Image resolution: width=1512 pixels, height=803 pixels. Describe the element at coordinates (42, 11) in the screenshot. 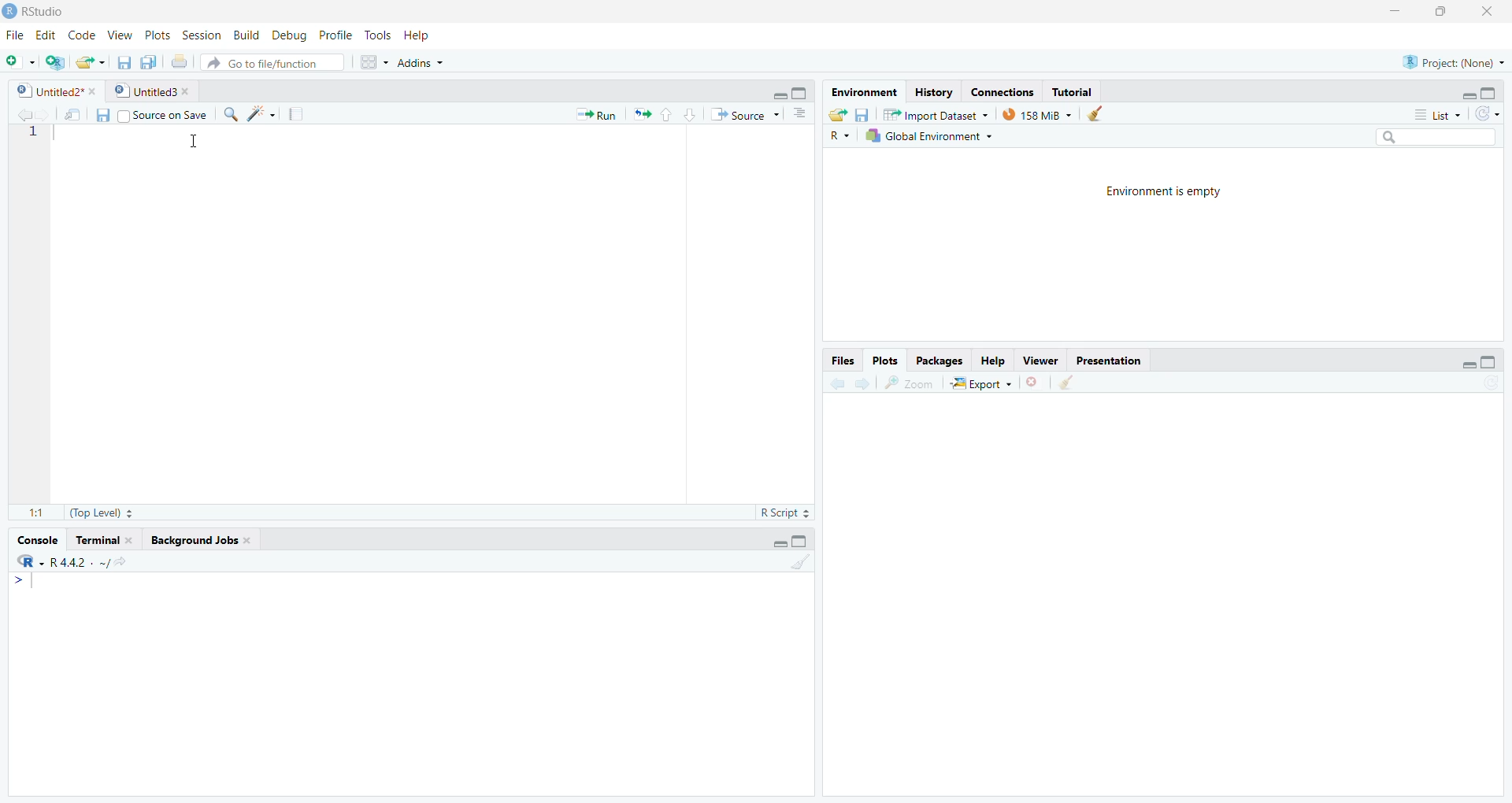

I see `RStudio` at that location.